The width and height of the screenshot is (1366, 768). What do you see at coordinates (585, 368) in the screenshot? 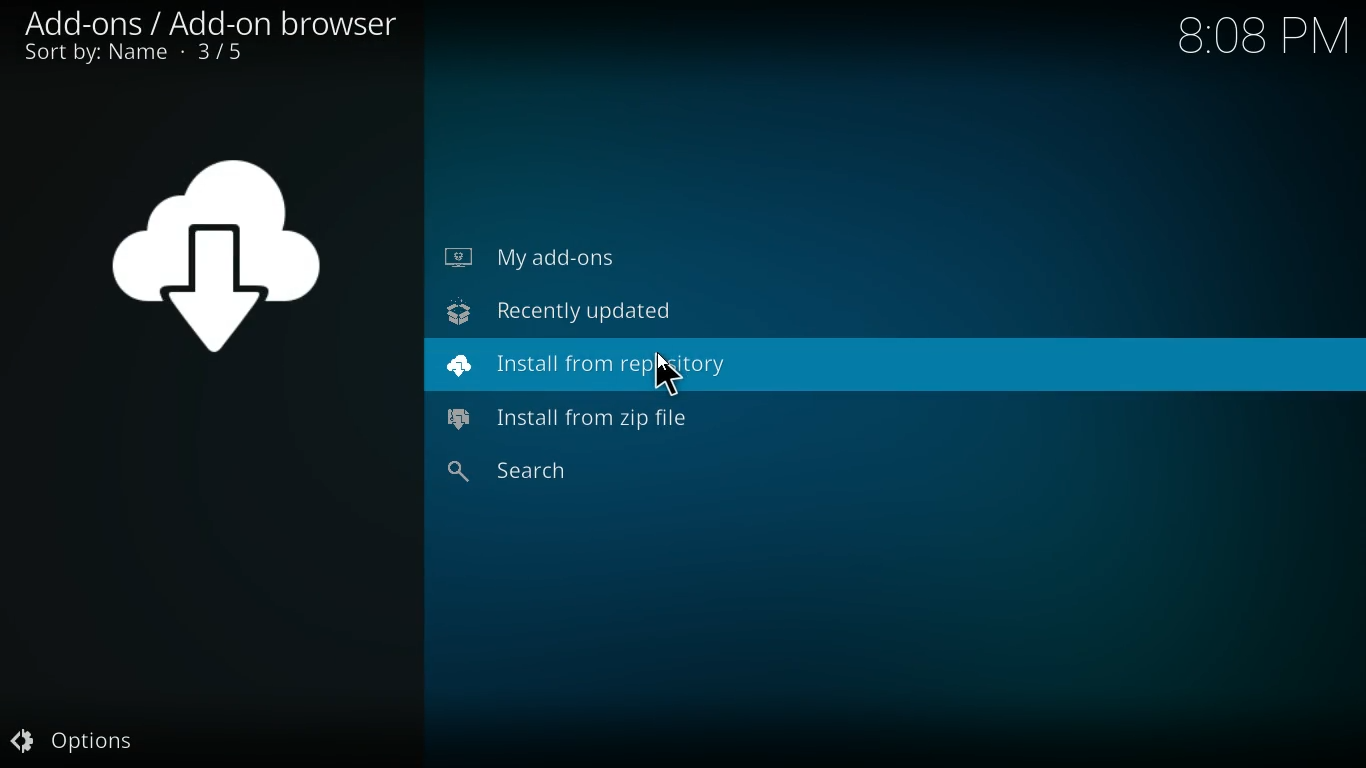
I see `install from repository` at bounding box center [585, 368].